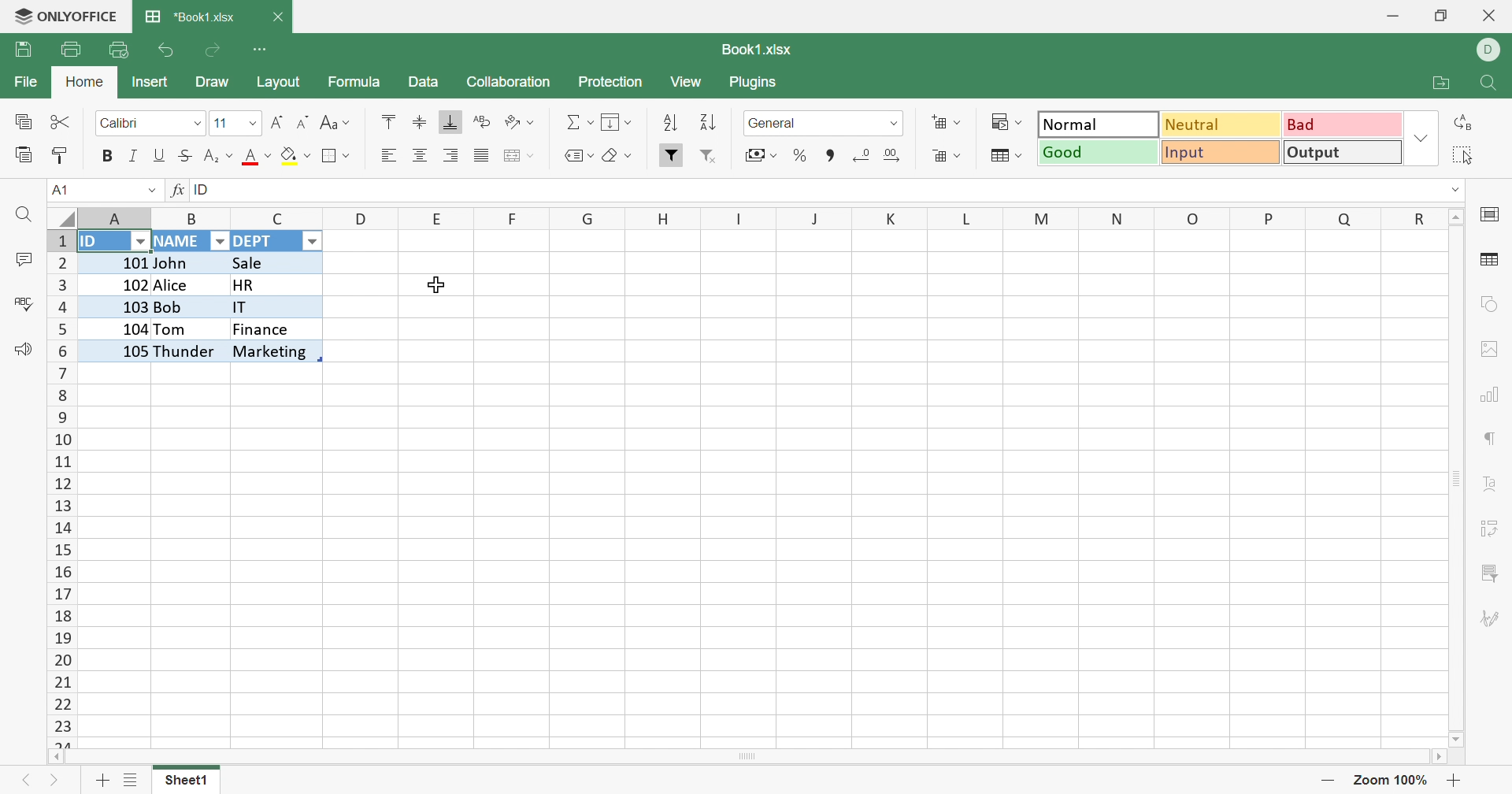 The width and height of the screenshot is (1512, 794). I want to click on Layout, so click(285, 83).